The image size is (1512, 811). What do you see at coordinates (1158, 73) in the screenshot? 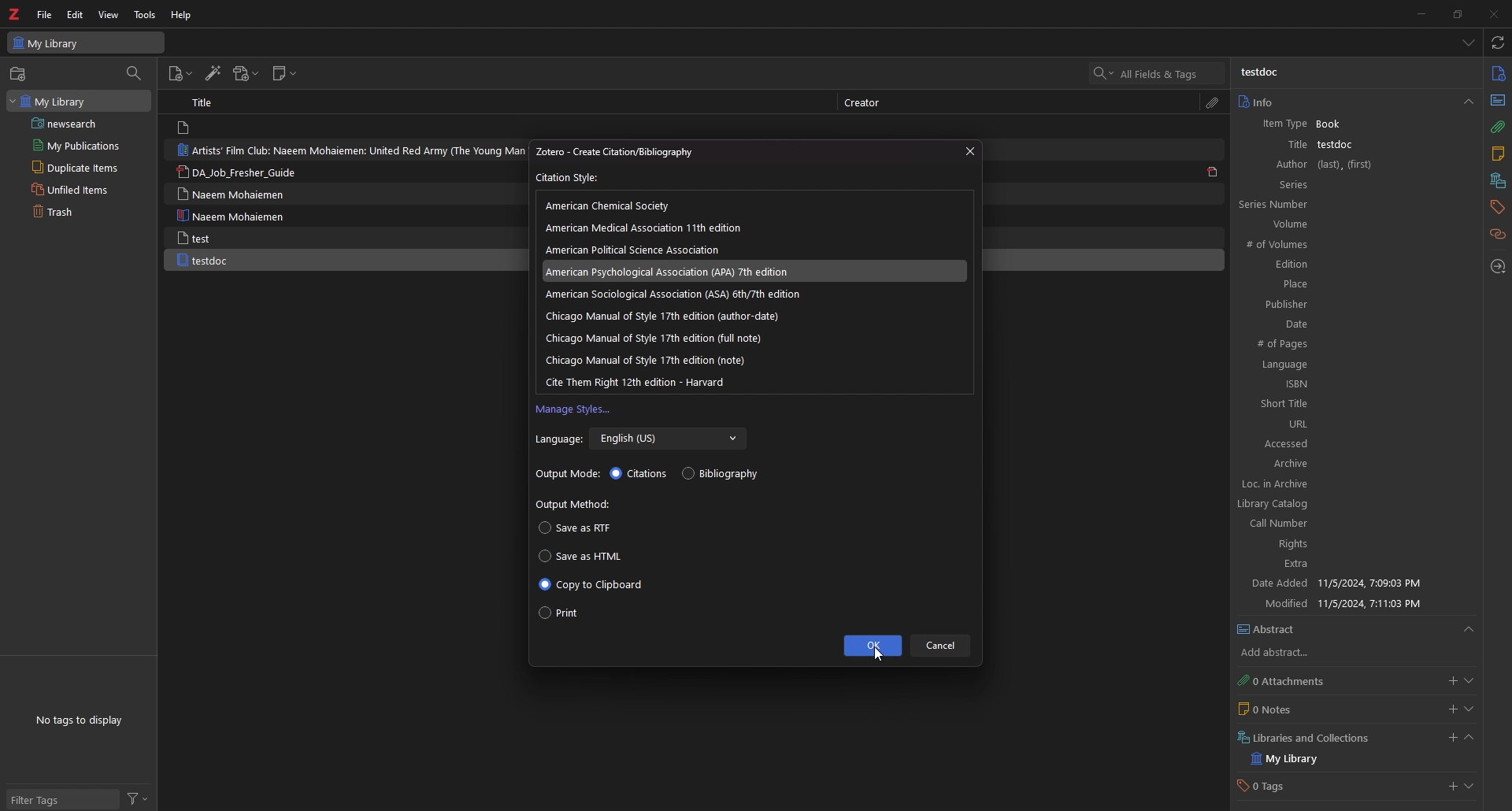
I see `search` at bounding box center [1158, 73].